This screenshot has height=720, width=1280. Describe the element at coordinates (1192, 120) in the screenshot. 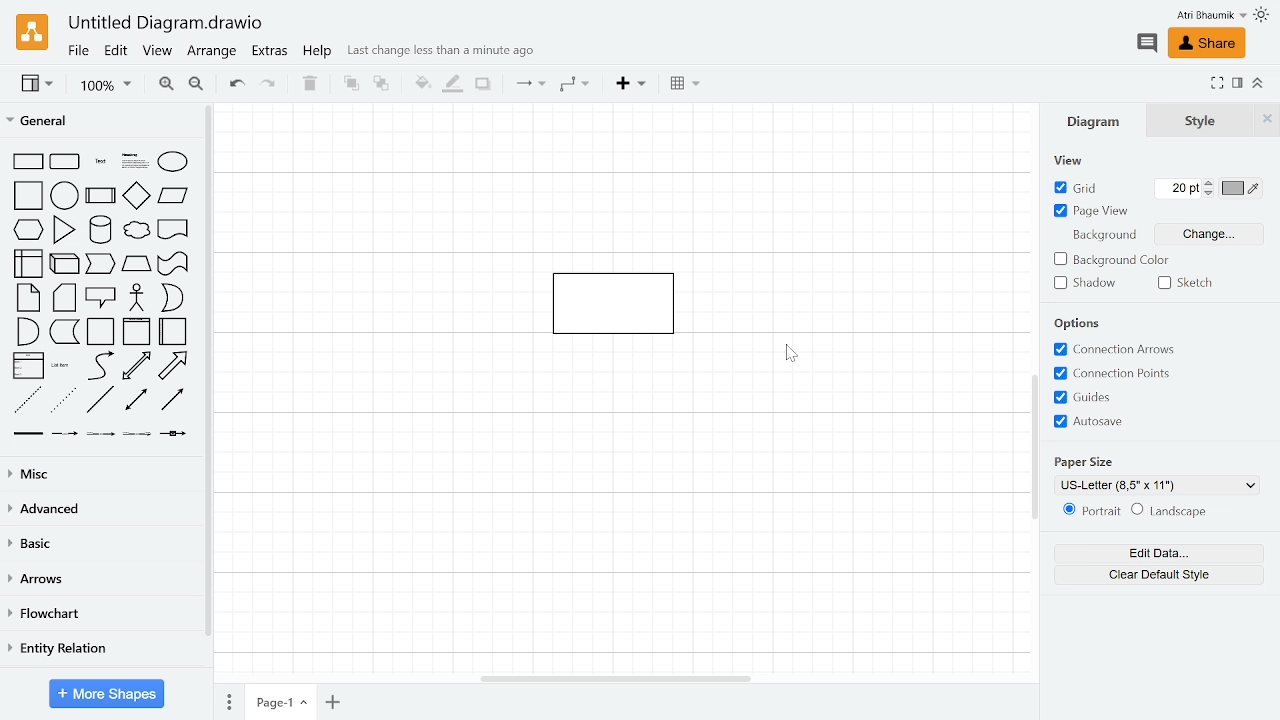

I see `Style` at that location.